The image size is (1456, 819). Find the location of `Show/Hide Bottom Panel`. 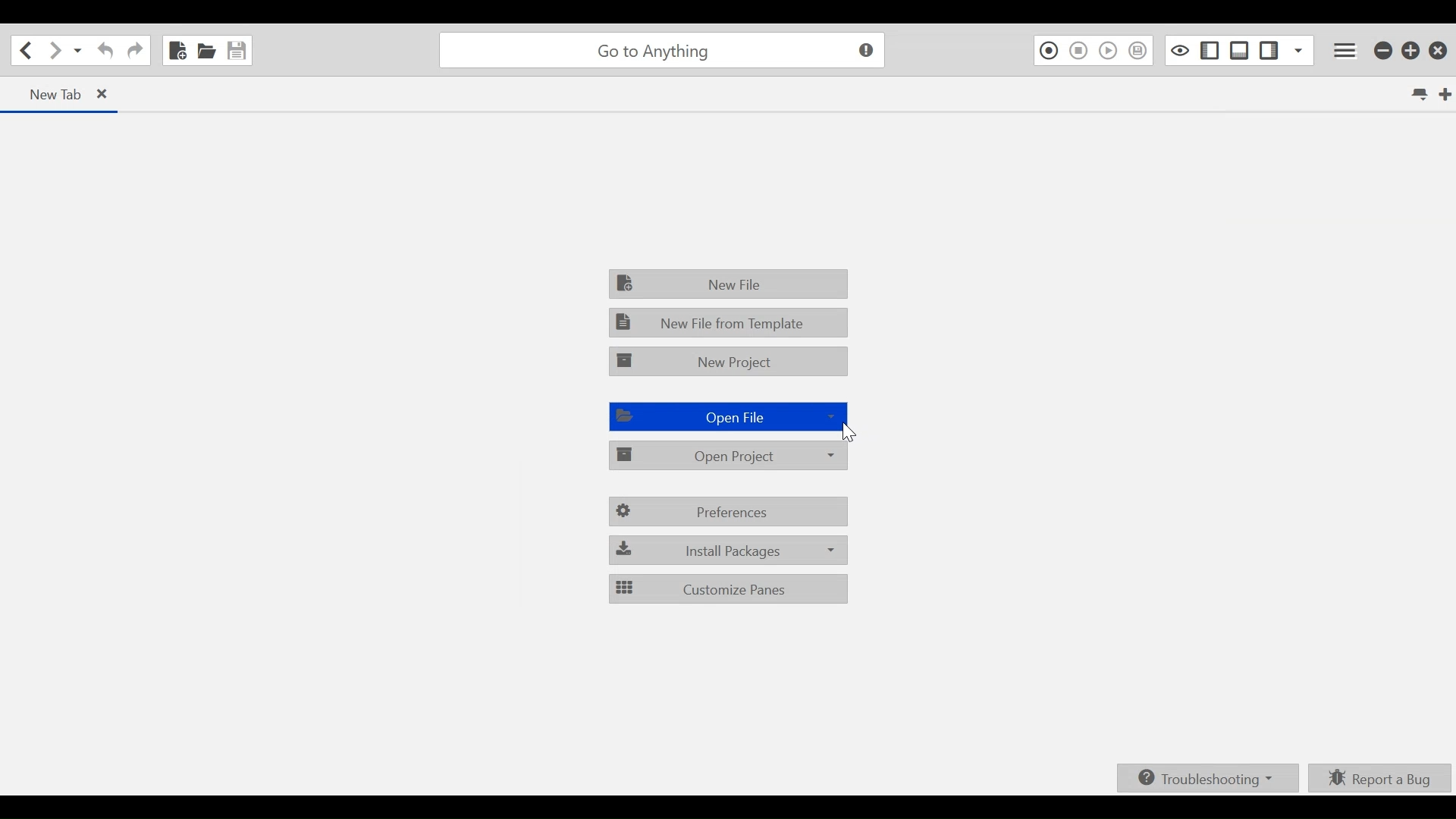

Show/Hide Bottom Panel is located at coordinates (1240, 49).